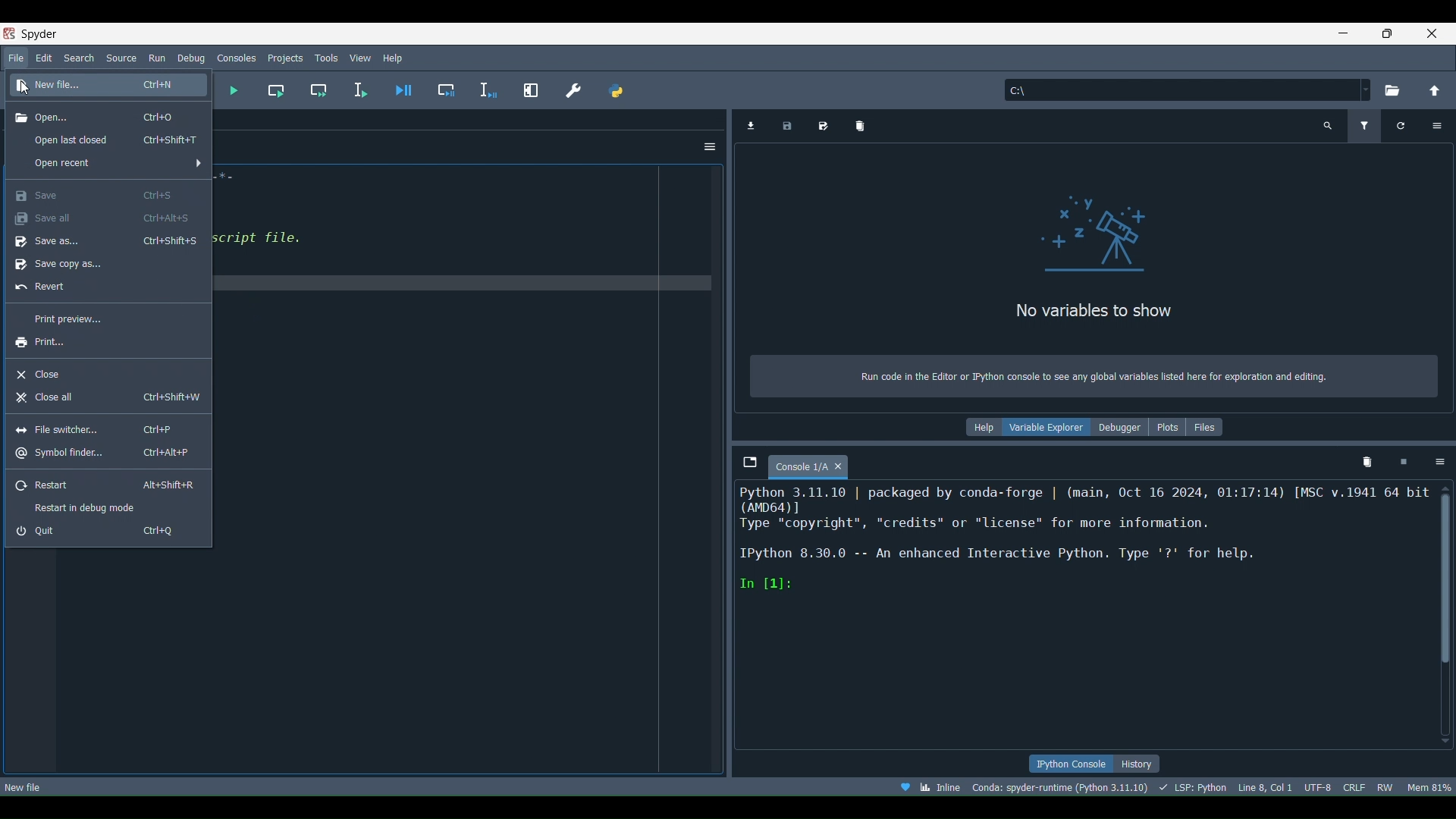  Describe the element at coordinates (943, 784) in the screenshot. I see `Click to toggle between inline and interactive Matplotlib plotting` at that location.